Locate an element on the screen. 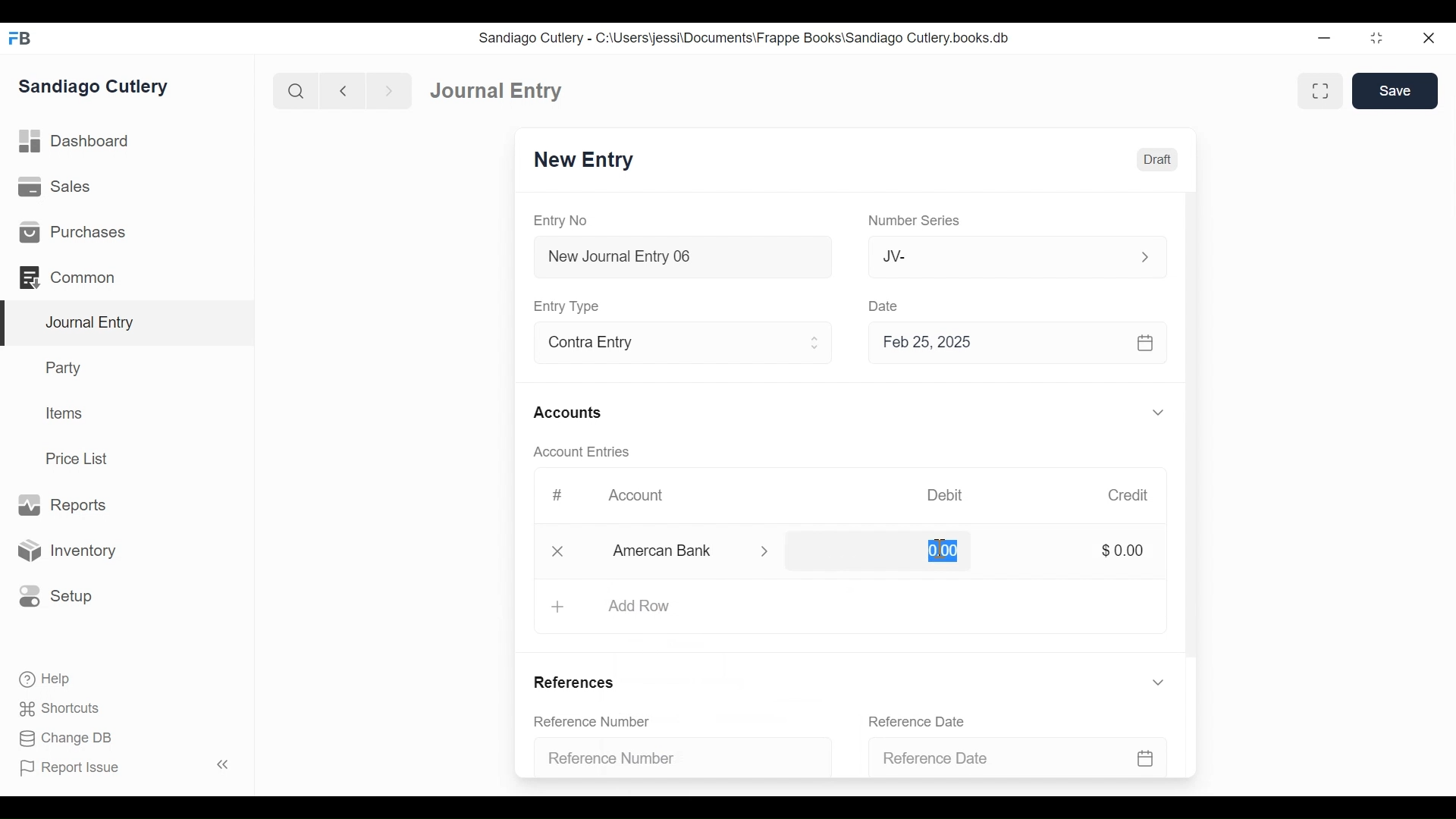  Reports is located at coordinates (61, 506).